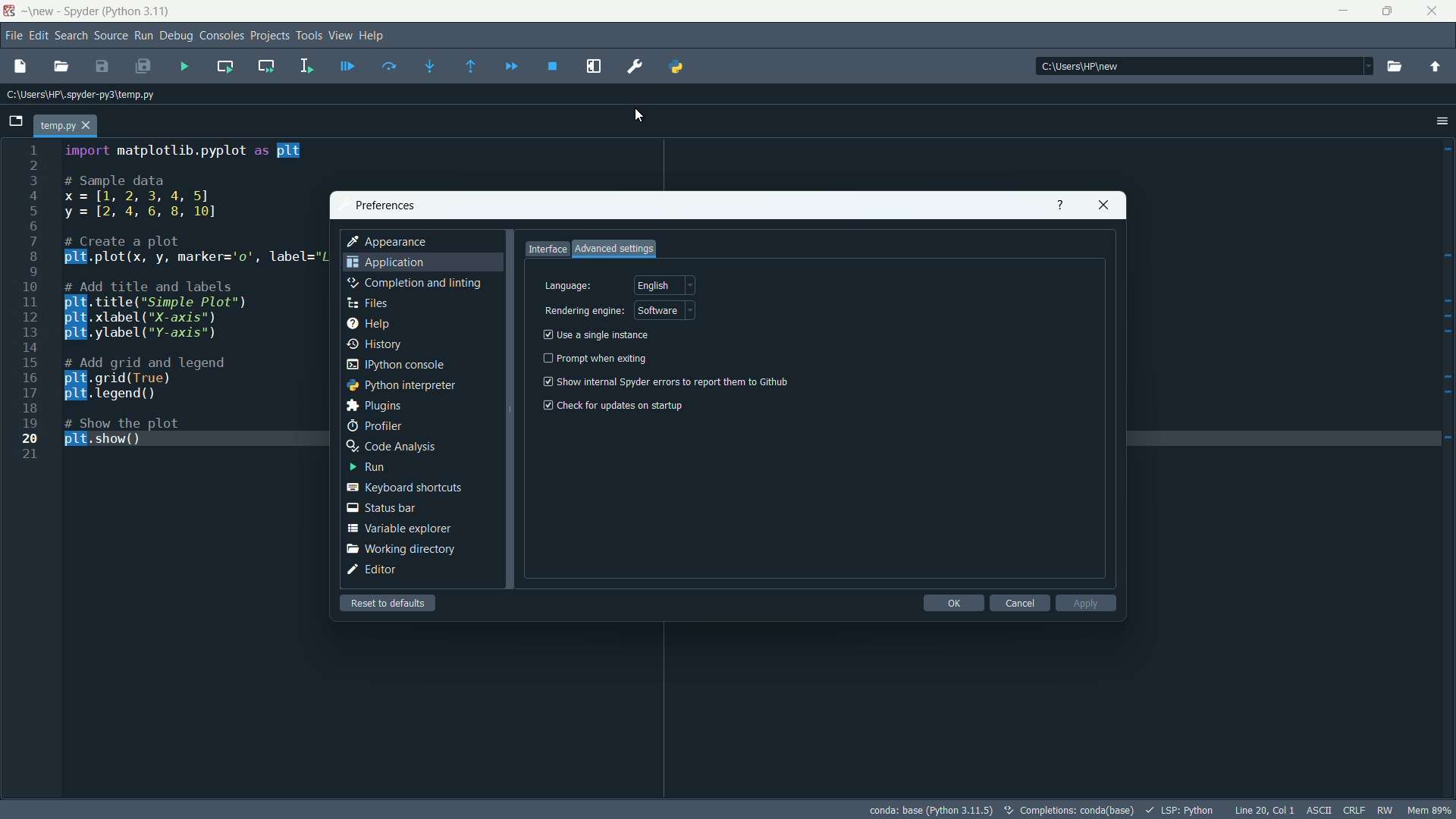  Describe the element at coordinates (386, 262) in the screenshot. I see `application` at that location.